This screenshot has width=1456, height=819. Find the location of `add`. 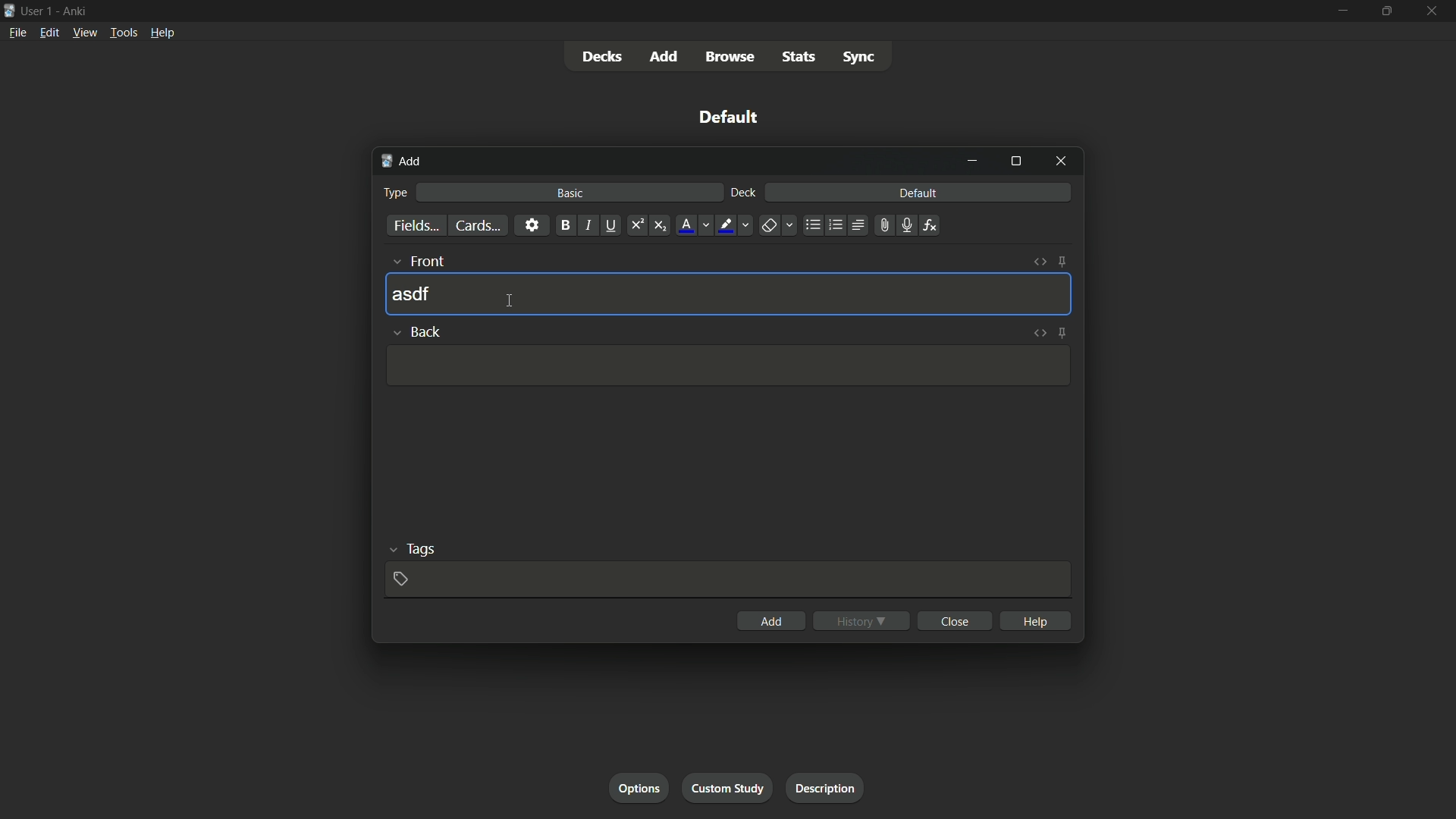

add is located at coordinates (406, 162).